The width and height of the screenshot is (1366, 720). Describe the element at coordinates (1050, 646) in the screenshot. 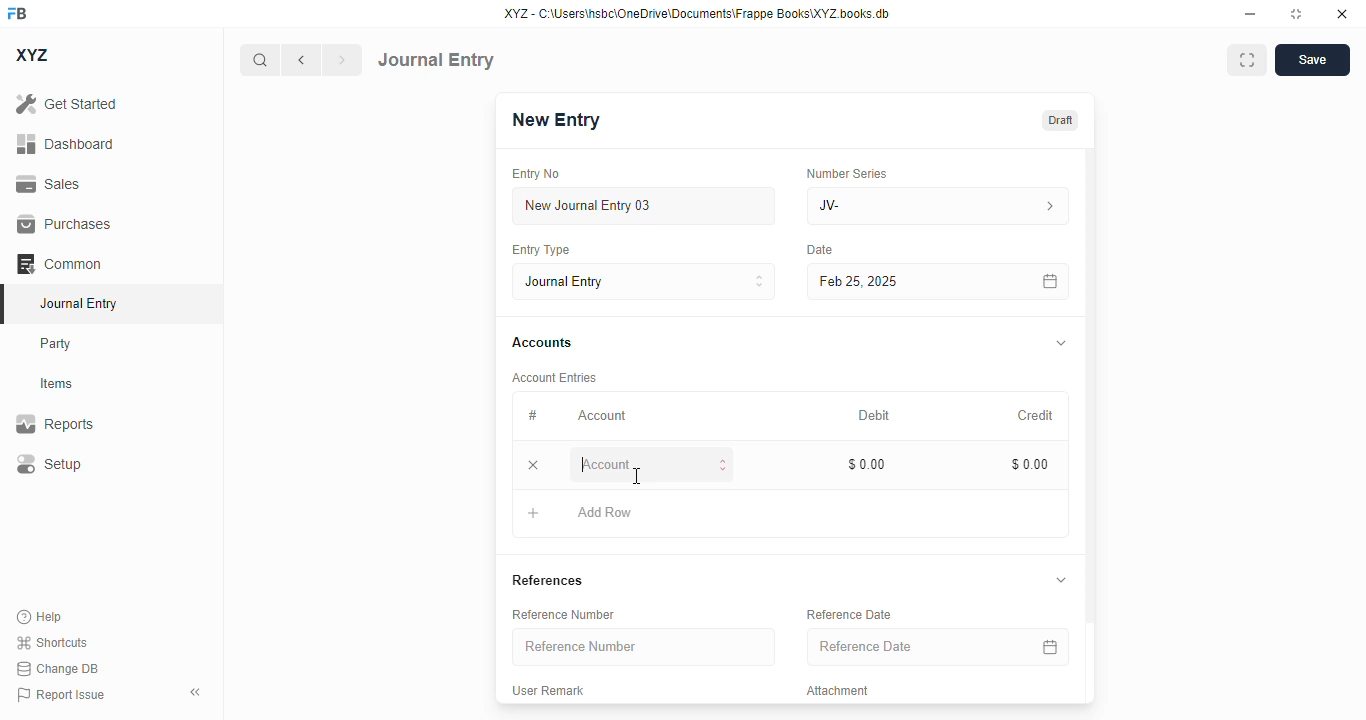

I see `calendar icon` at that location.